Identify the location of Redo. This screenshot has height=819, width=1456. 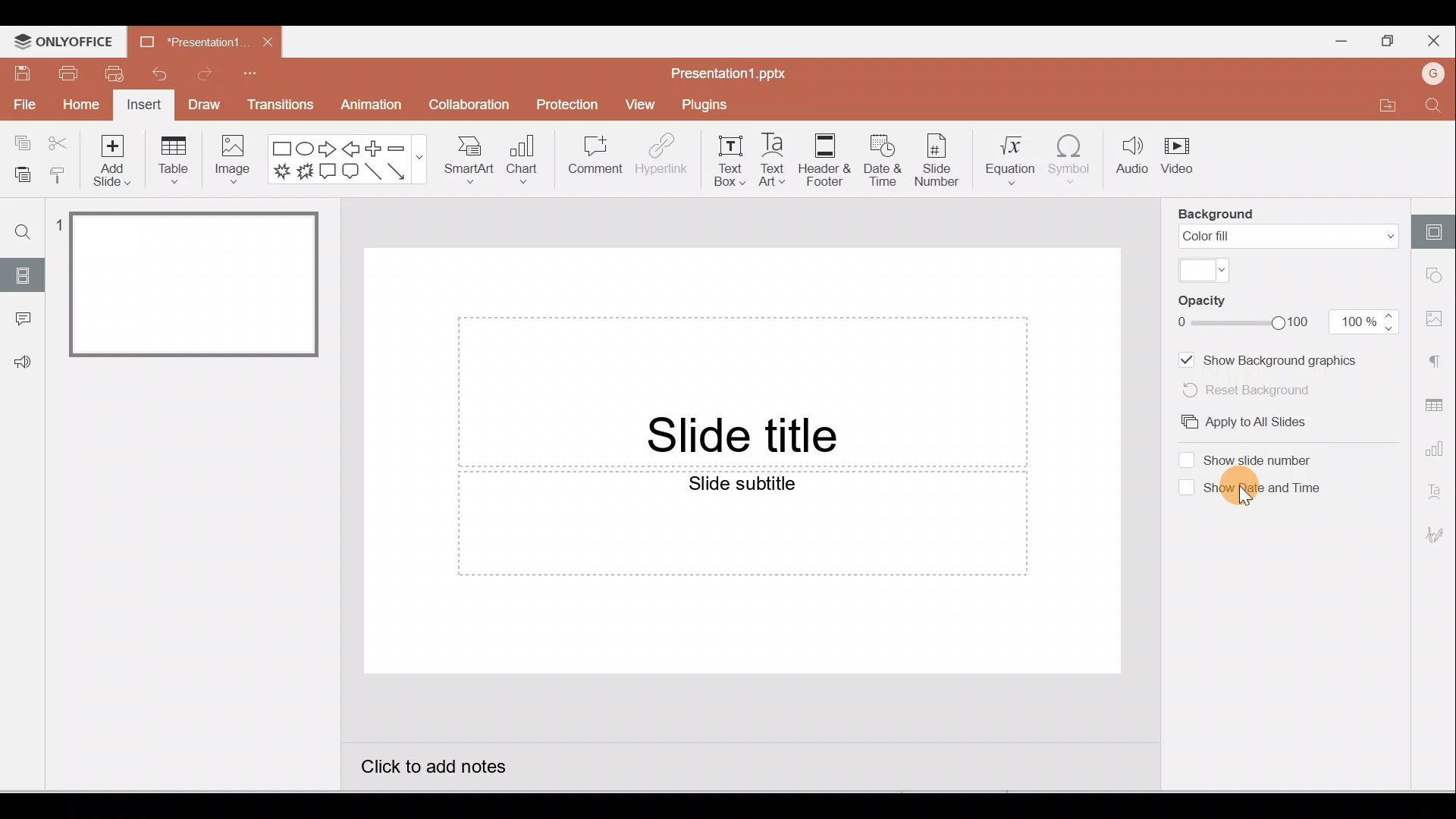
(209, 73).